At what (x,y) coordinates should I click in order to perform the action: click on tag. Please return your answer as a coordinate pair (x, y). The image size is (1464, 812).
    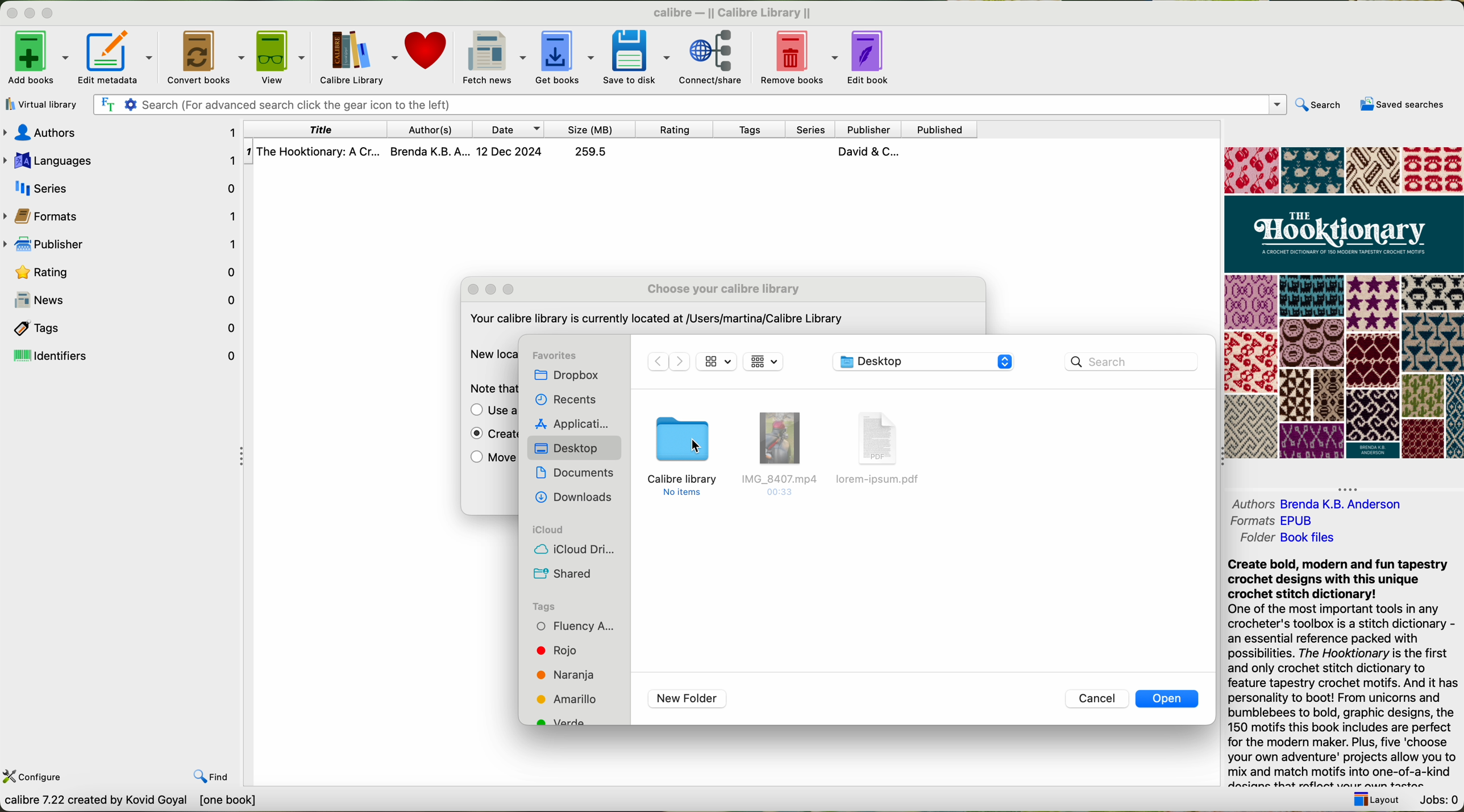
    Looking at the image, I should click on (558, 652).